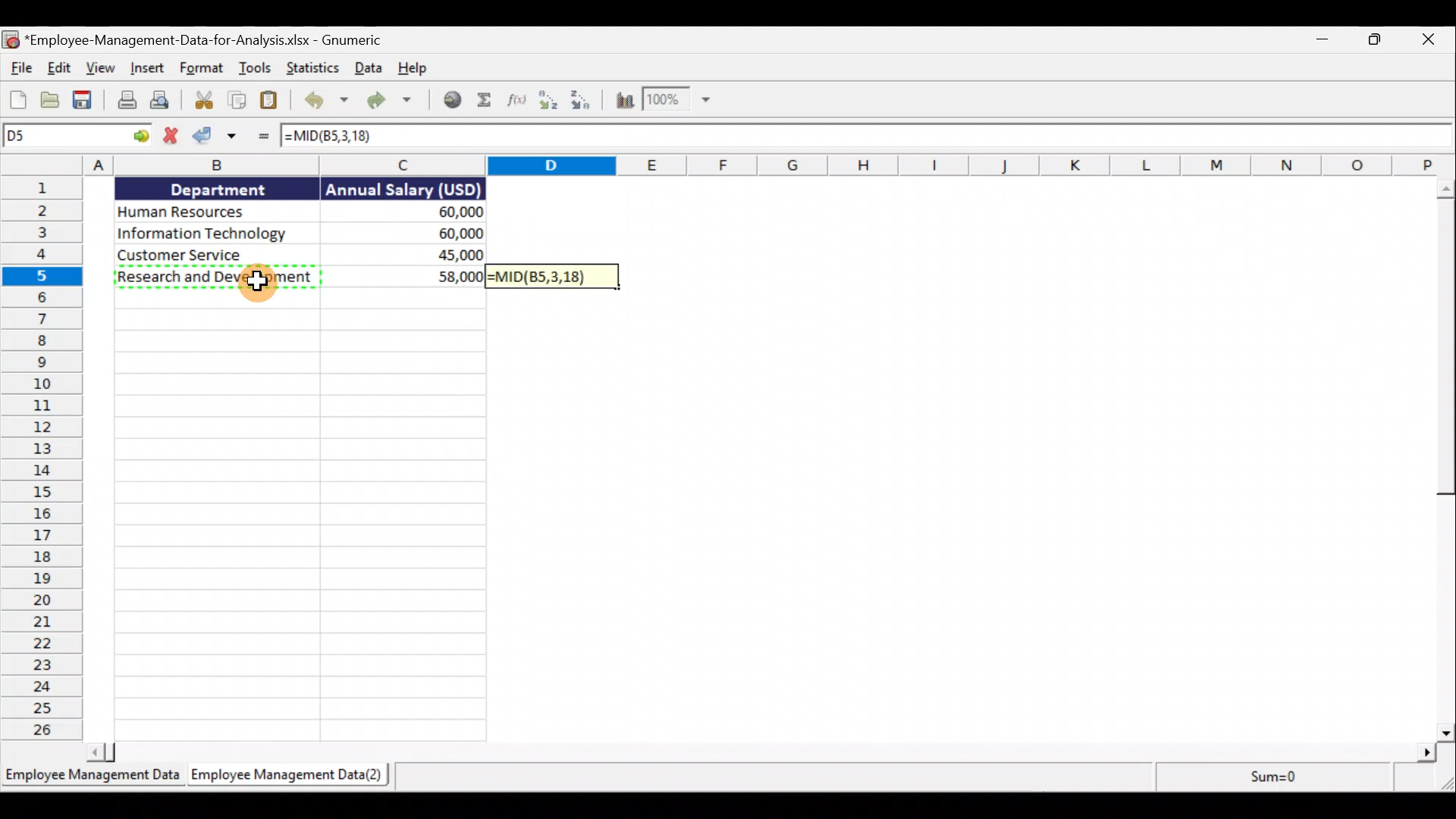 This screenshot has width=1456, height=819. What do you see at coordinates (549, 103) in the screenshot?
I see `Sort Ascending` at bounding box center [549, 103].